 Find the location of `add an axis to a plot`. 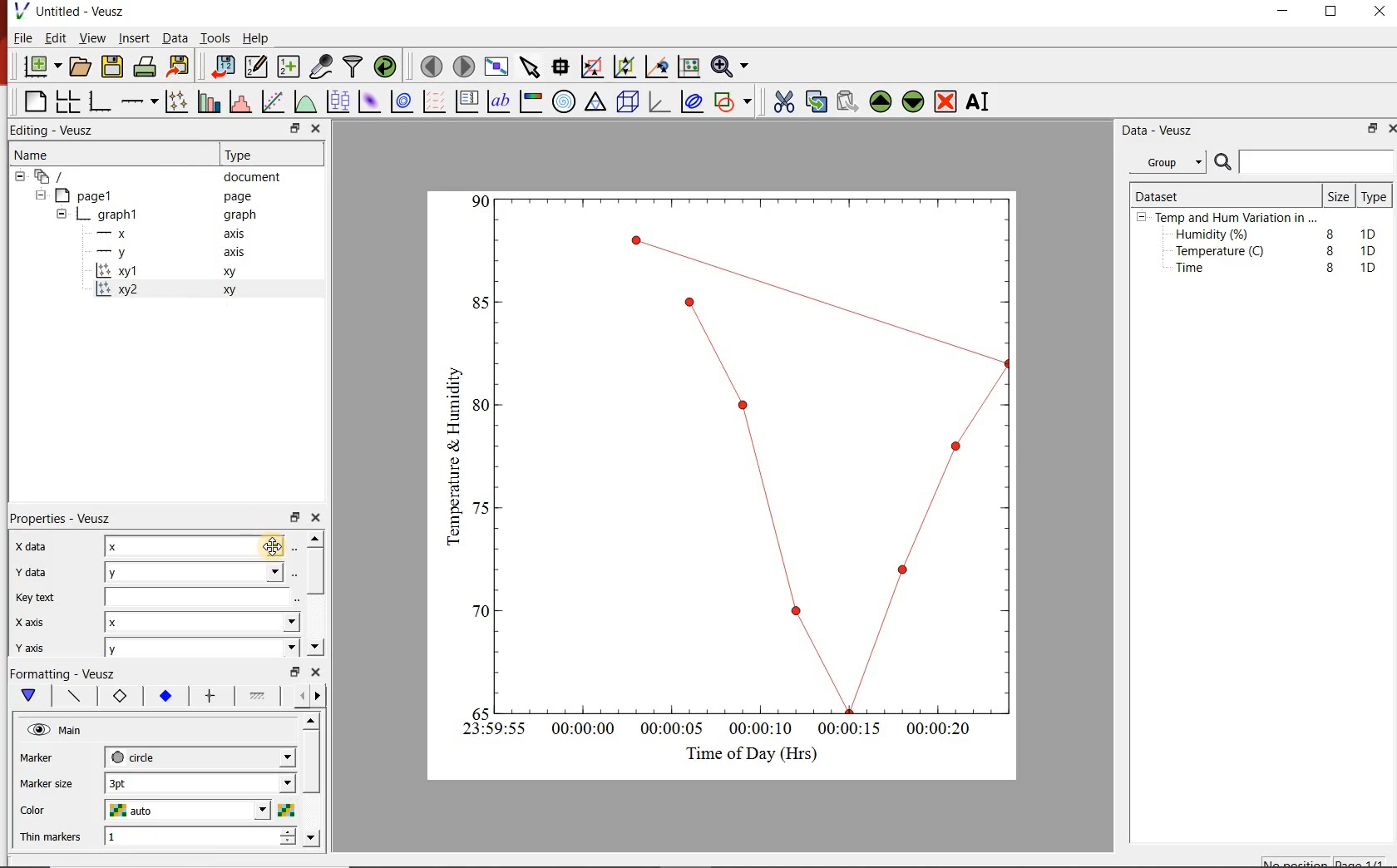

add an axis to a plot is located at coordinates (141, 100).